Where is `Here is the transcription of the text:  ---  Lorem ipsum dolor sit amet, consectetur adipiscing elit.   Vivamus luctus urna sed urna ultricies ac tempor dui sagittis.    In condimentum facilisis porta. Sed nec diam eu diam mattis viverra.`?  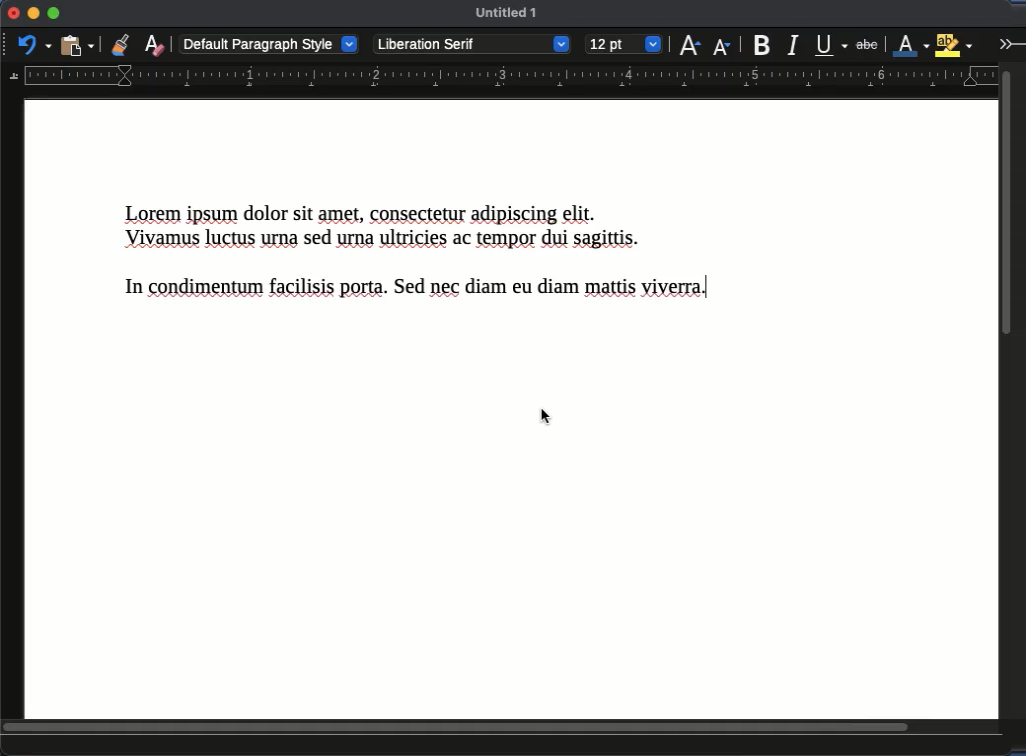 Here is the transcription of the text:  ---  Lorem ipsum dolor sit amet, consectetur adipiscing elit.   Vivamus luctus urna sed urna ultricies ac tempor dui sagittis.    In condimentum facilisis porta. Sed nec diam eu diam mattis viverra. is located at coordinates (431, 259).